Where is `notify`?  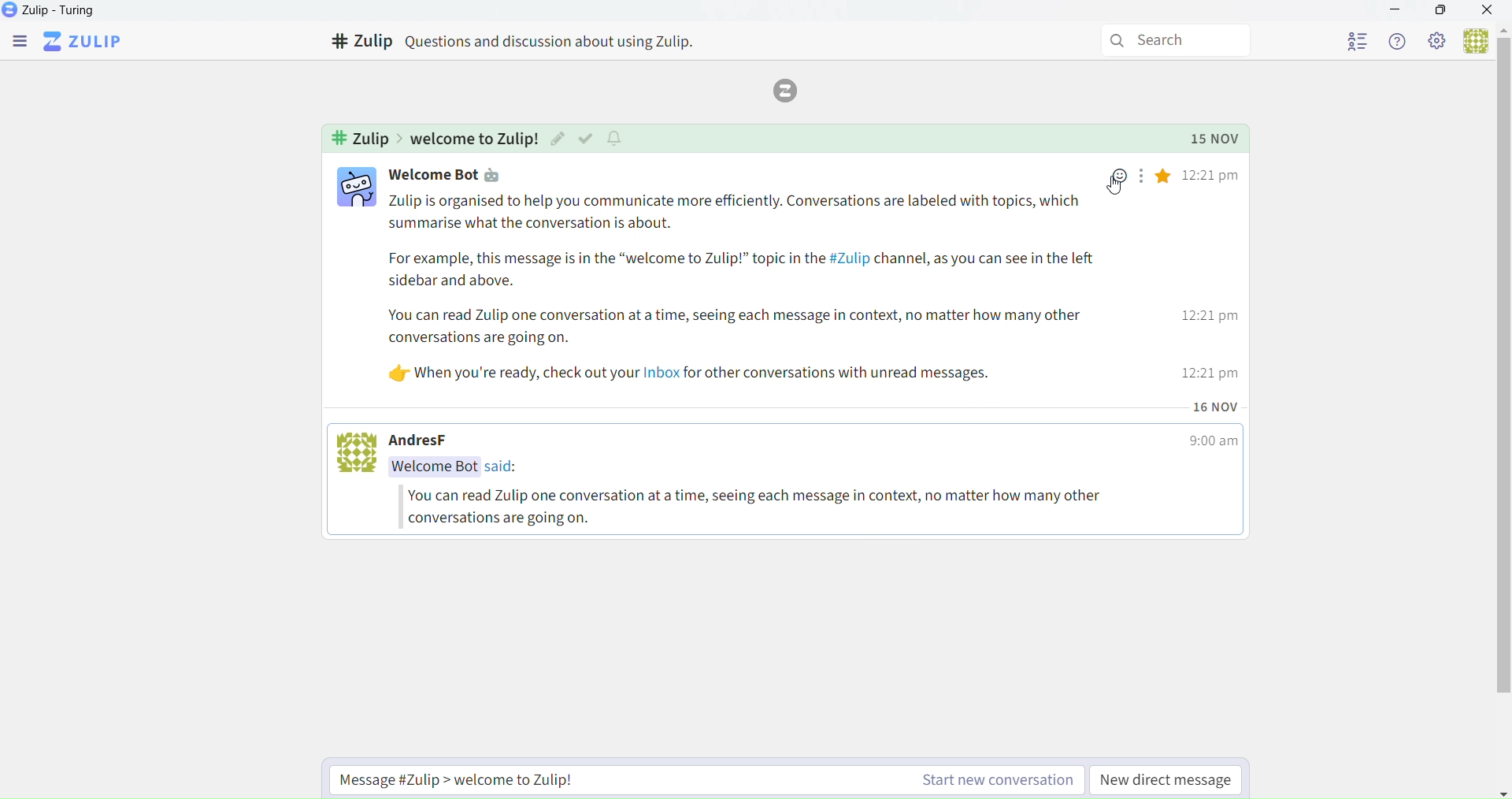 notify is located at coordinates (617, 138).